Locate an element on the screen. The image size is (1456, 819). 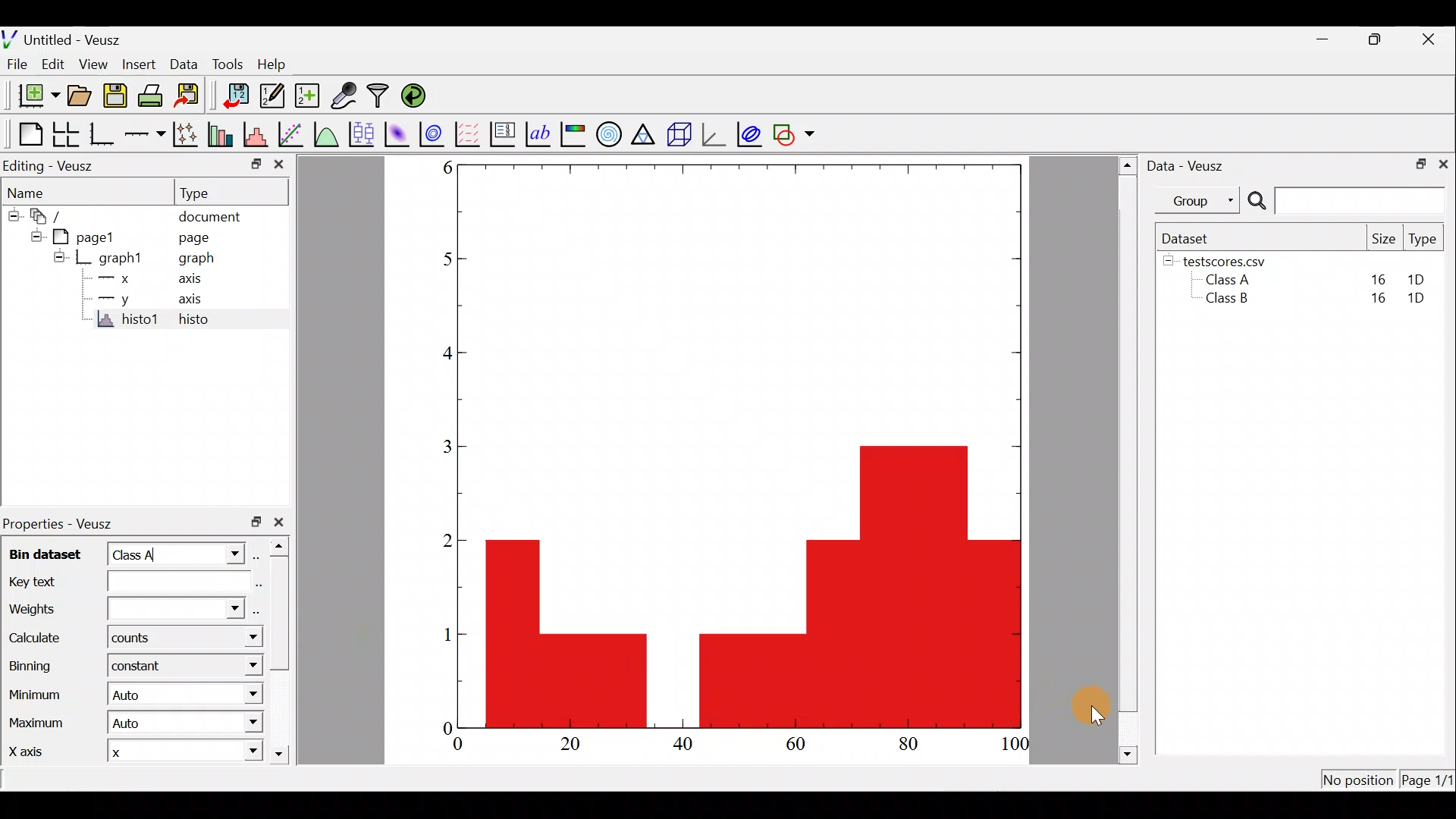
axis is located at coordinates (195, 300).